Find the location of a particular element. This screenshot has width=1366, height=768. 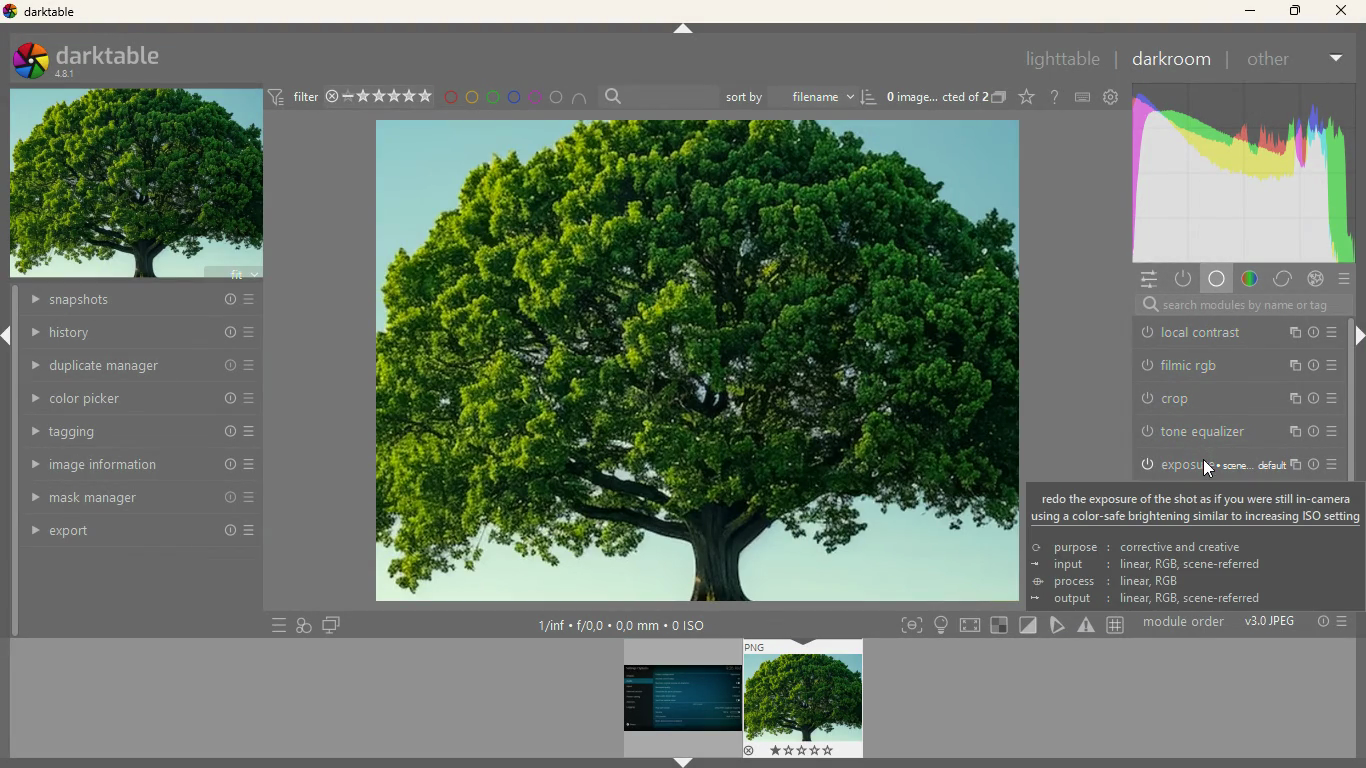

arrow is located at coordinates (684, 760).